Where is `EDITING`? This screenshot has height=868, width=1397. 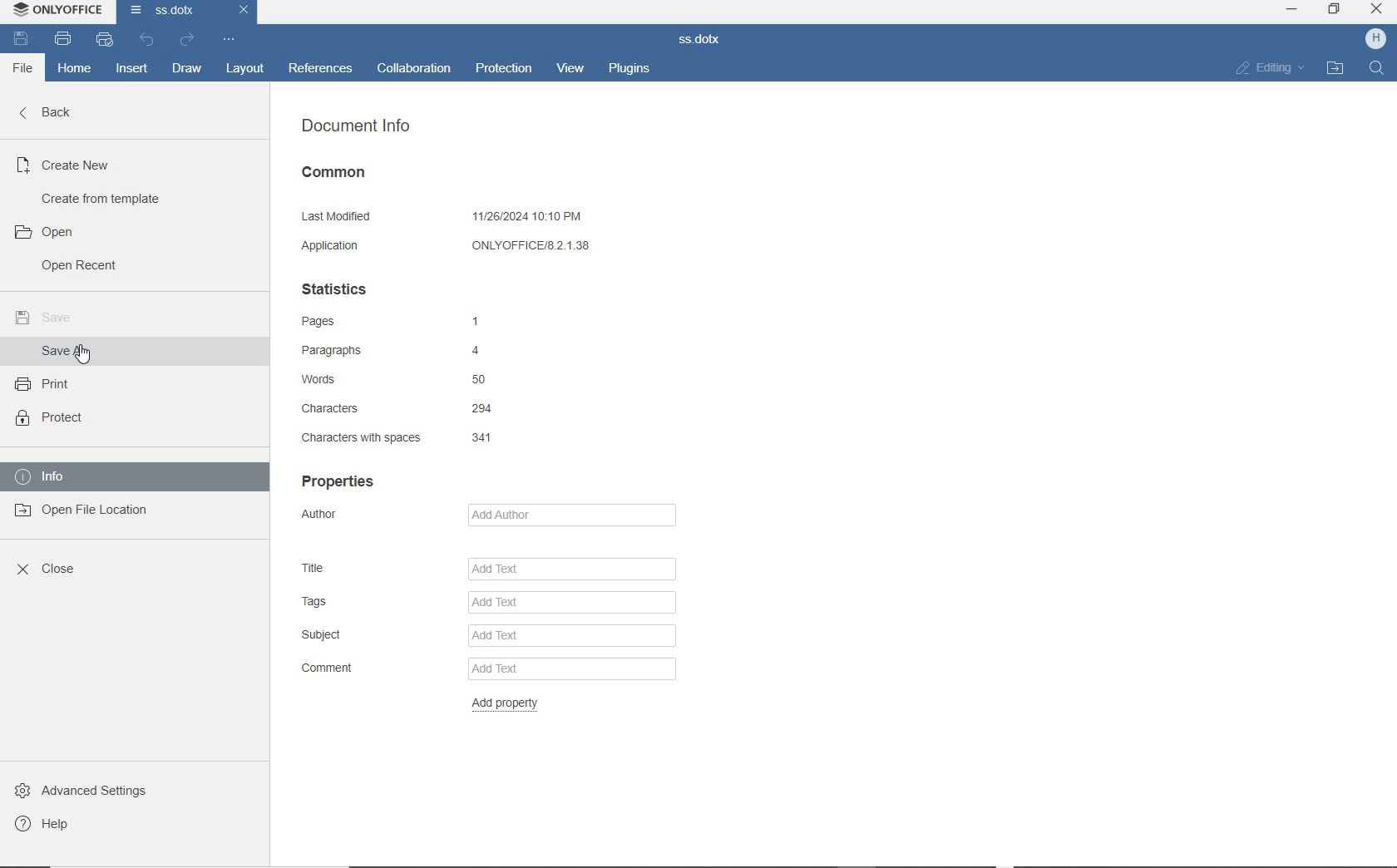
EDITING is located at coordinates (1268, 66).